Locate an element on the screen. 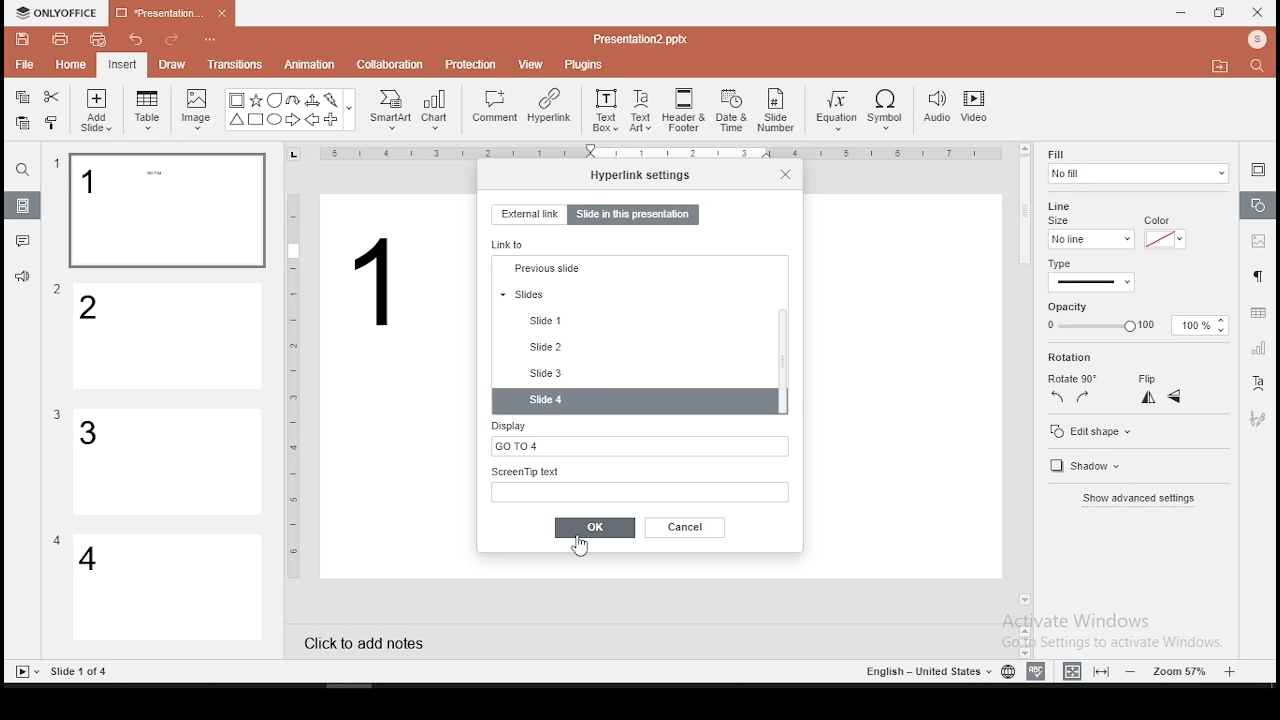 The height and width of the screenshot is (720, 1280). Trianlge is located at coordinates (235, 120).